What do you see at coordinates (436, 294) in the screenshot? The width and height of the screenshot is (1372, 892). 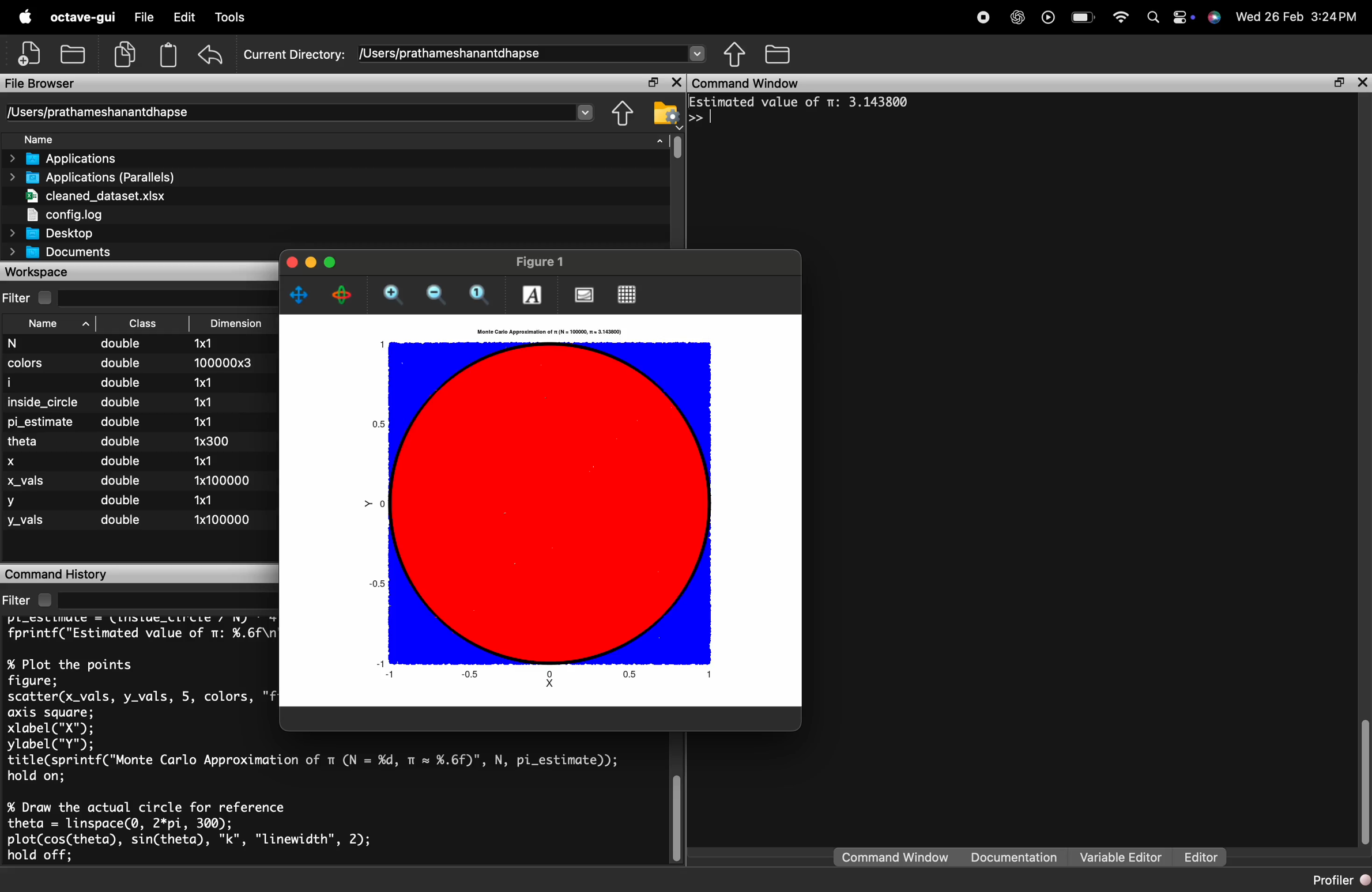 I see `Zoom out` at bounding box center [436, 294].